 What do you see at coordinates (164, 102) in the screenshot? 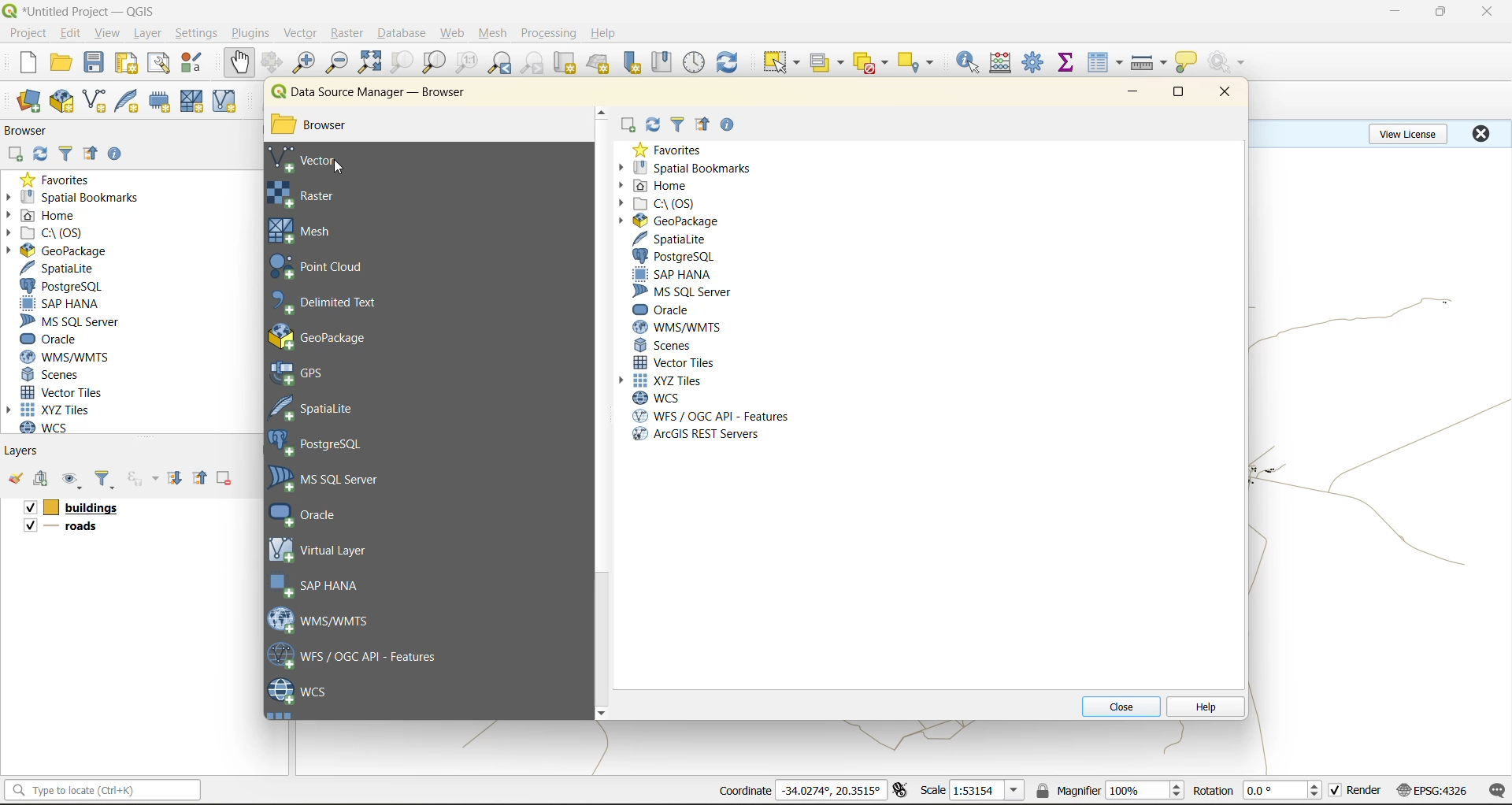
I see `temporary scratch layer` at bounding box center [164, 102].